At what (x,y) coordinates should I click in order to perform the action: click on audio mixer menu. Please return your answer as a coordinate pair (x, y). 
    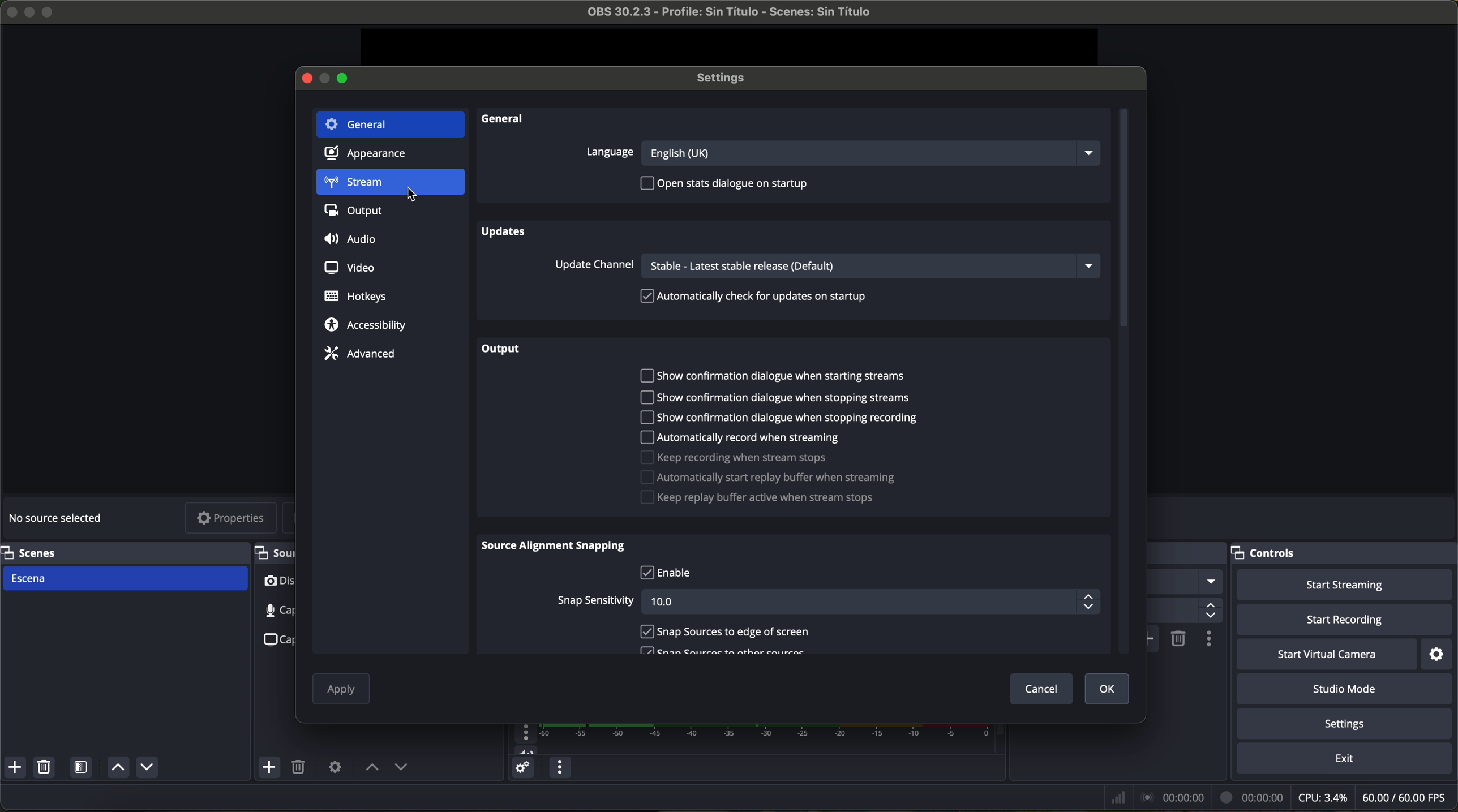
    Looking at the image, I should click on (558, 768).